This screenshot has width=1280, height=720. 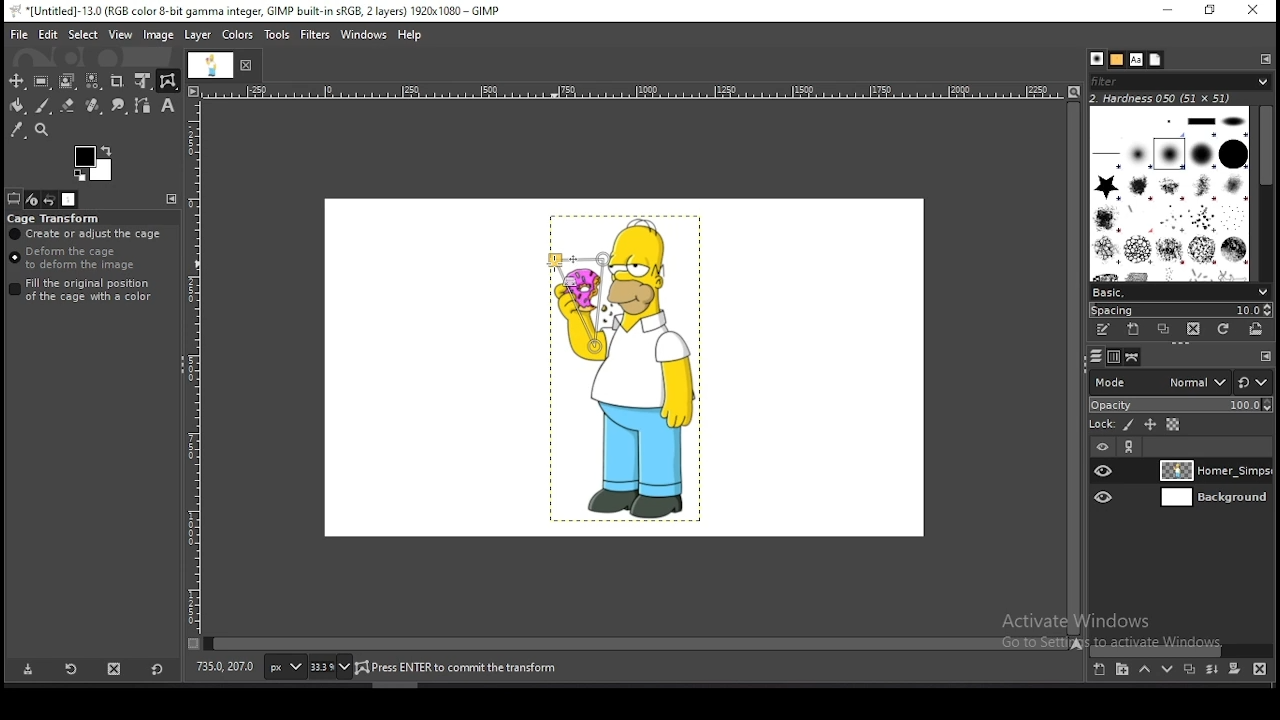 I want to click on delete brush, so click(x=1195, y=330).